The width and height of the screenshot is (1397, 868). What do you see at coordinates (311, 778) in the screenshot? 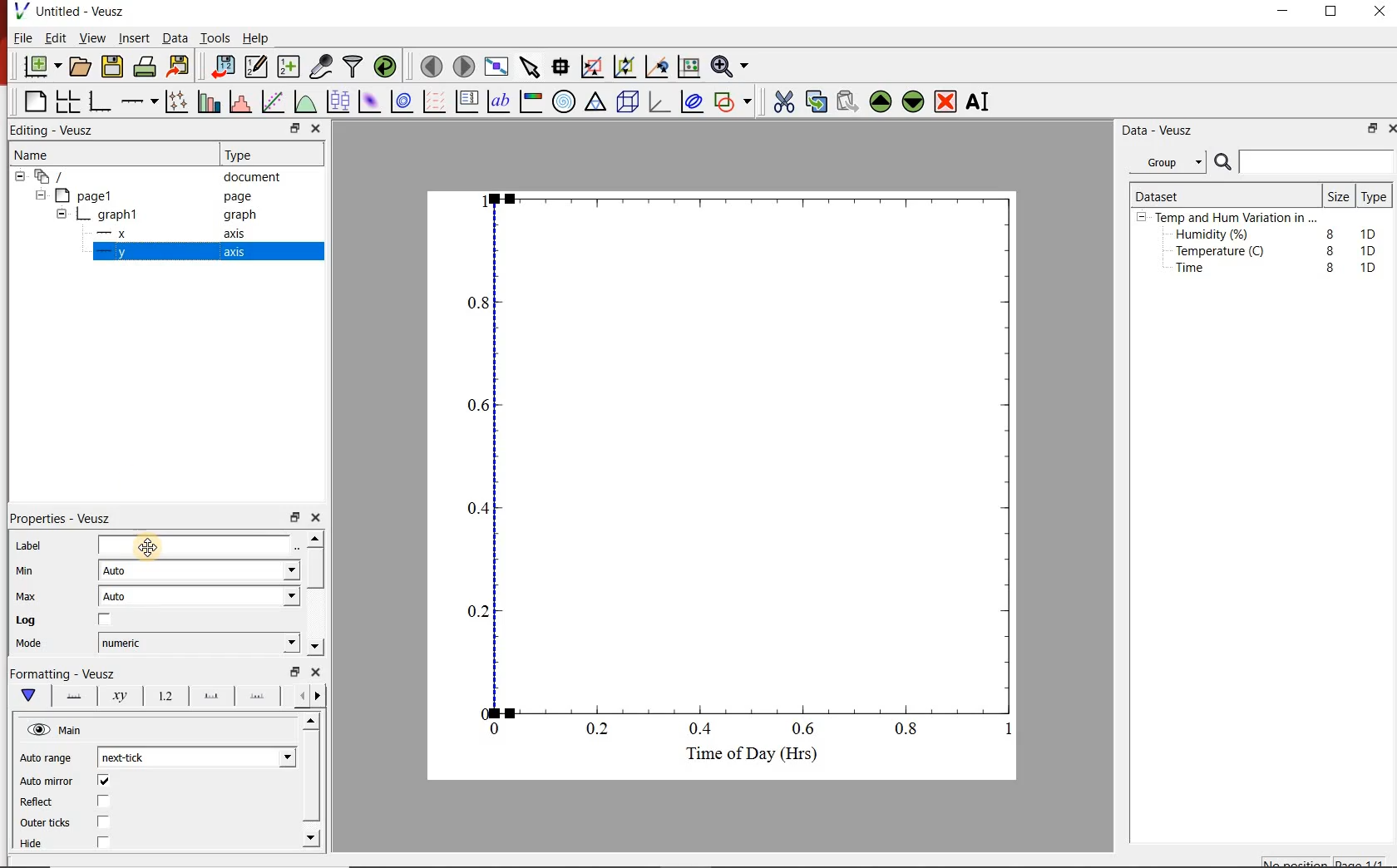
I see `scroll bar` at bounding box center [311, 778].